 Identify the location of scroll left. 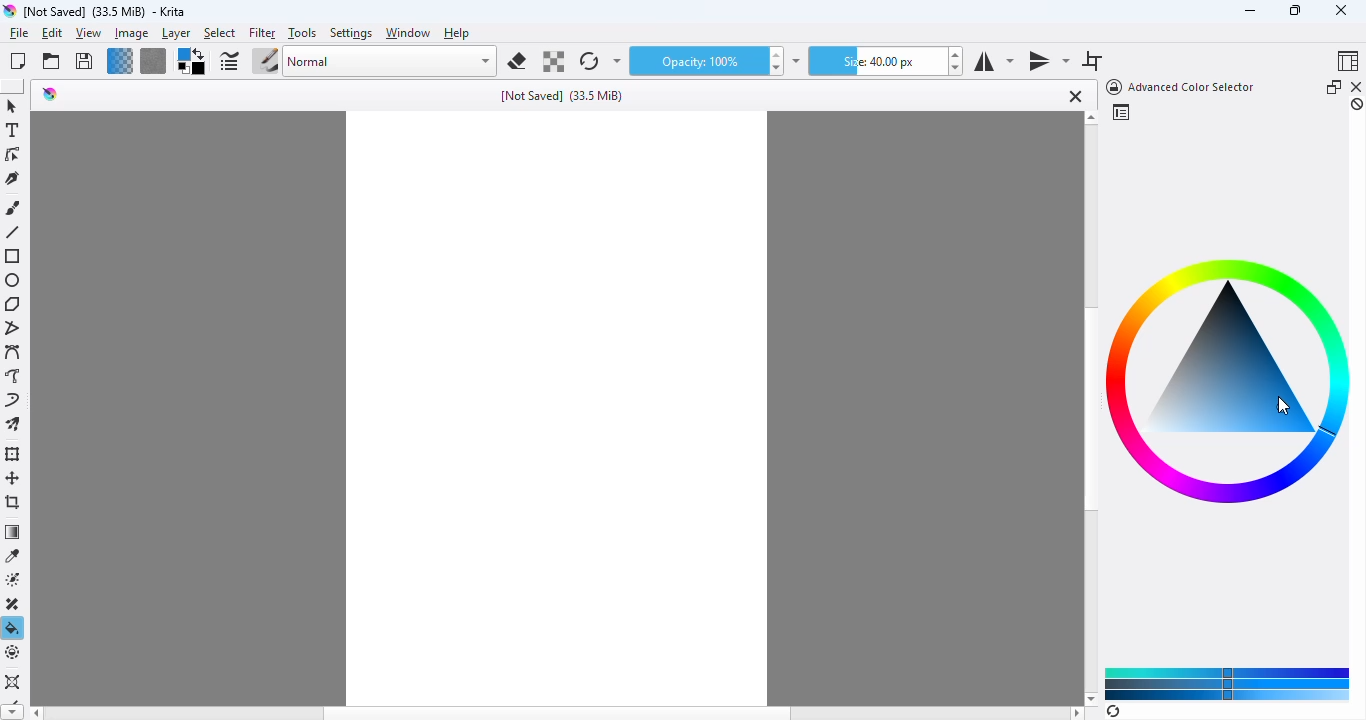
(35, 713).